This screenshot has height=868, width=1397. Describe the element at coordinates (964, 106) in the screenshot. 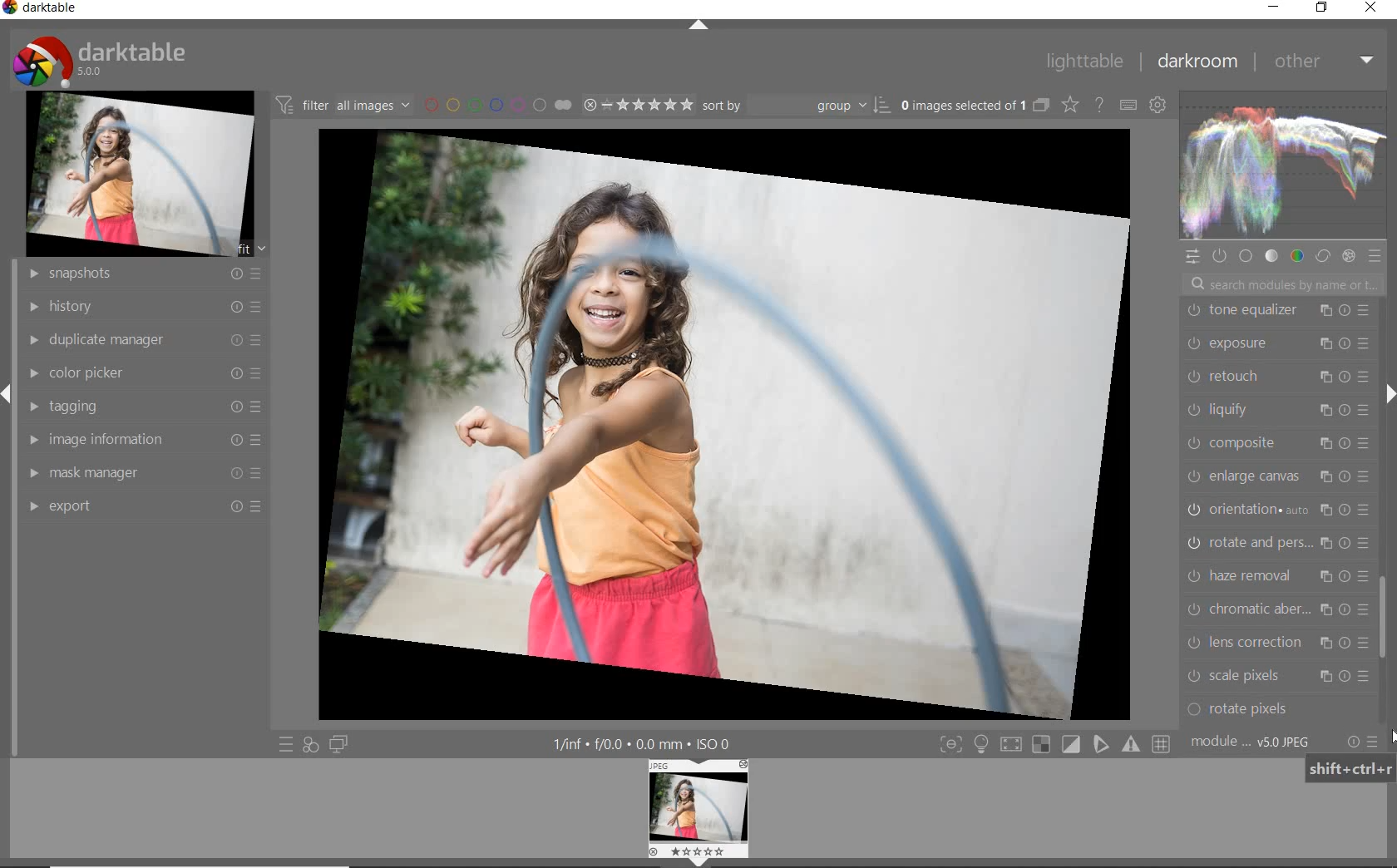

I see `selected images` at that location.